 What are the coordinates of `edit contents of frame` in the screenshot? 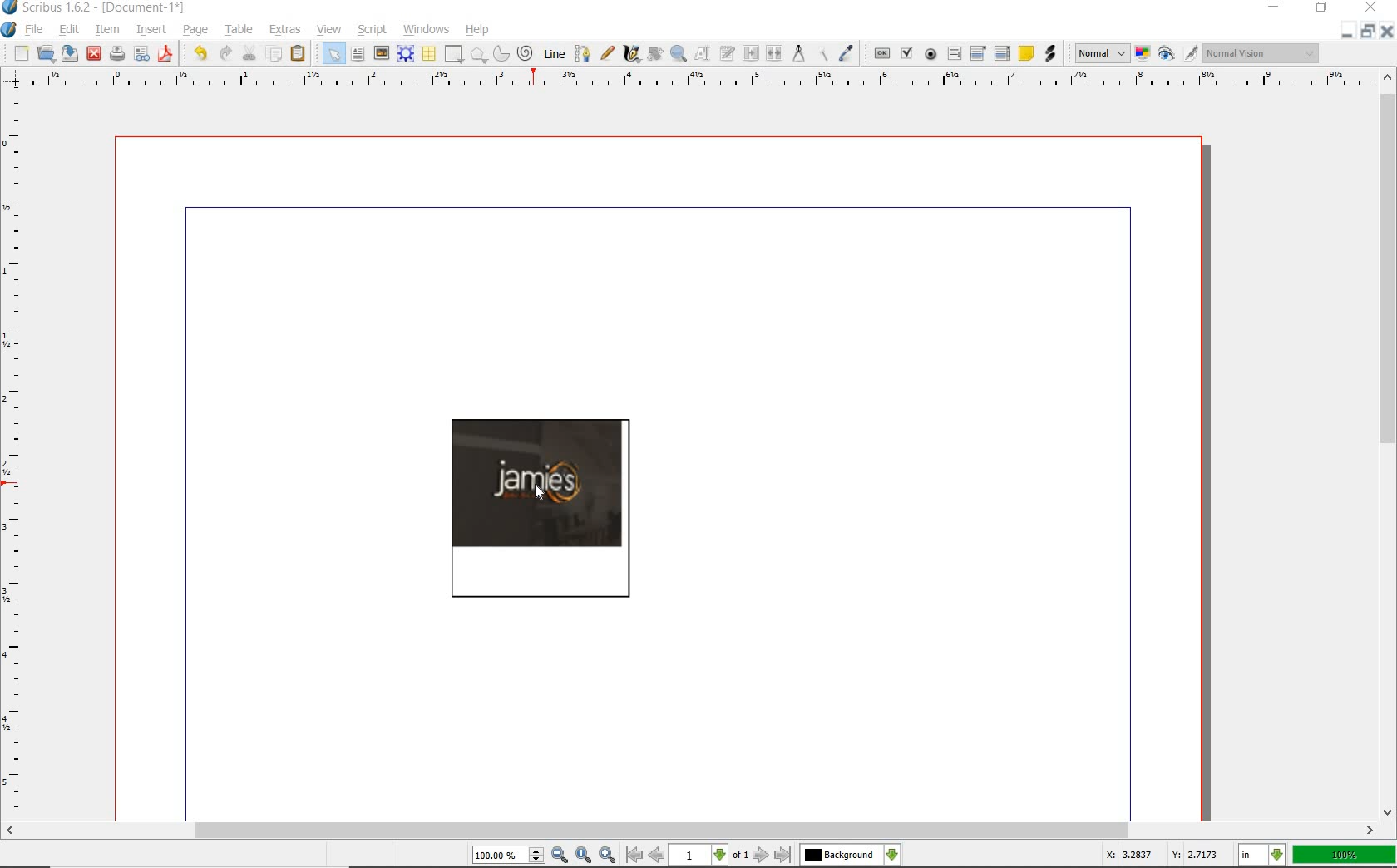 It's located at (702, 53).